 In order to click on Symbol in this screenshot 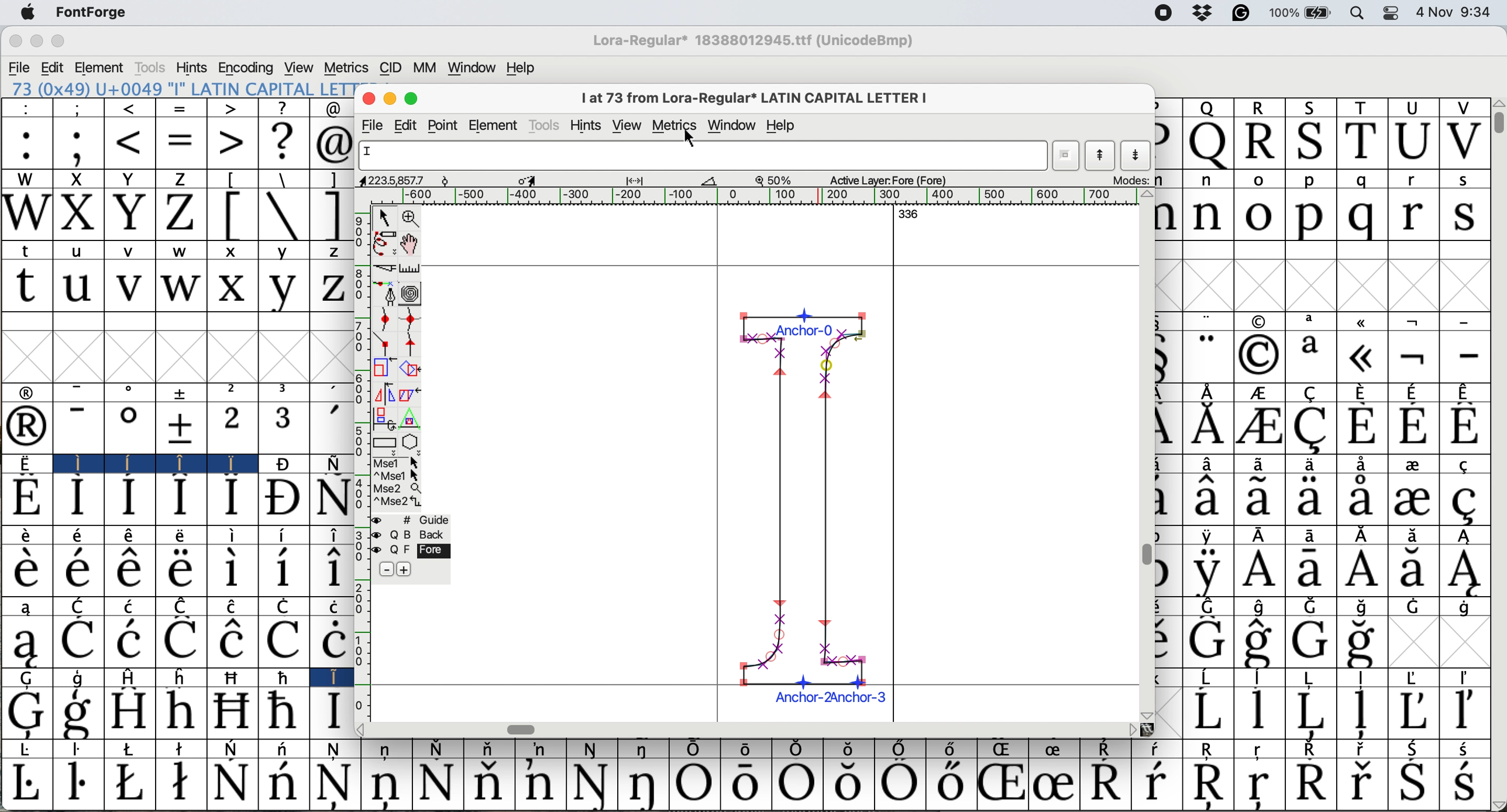, I will do `click(1312, 499)`.